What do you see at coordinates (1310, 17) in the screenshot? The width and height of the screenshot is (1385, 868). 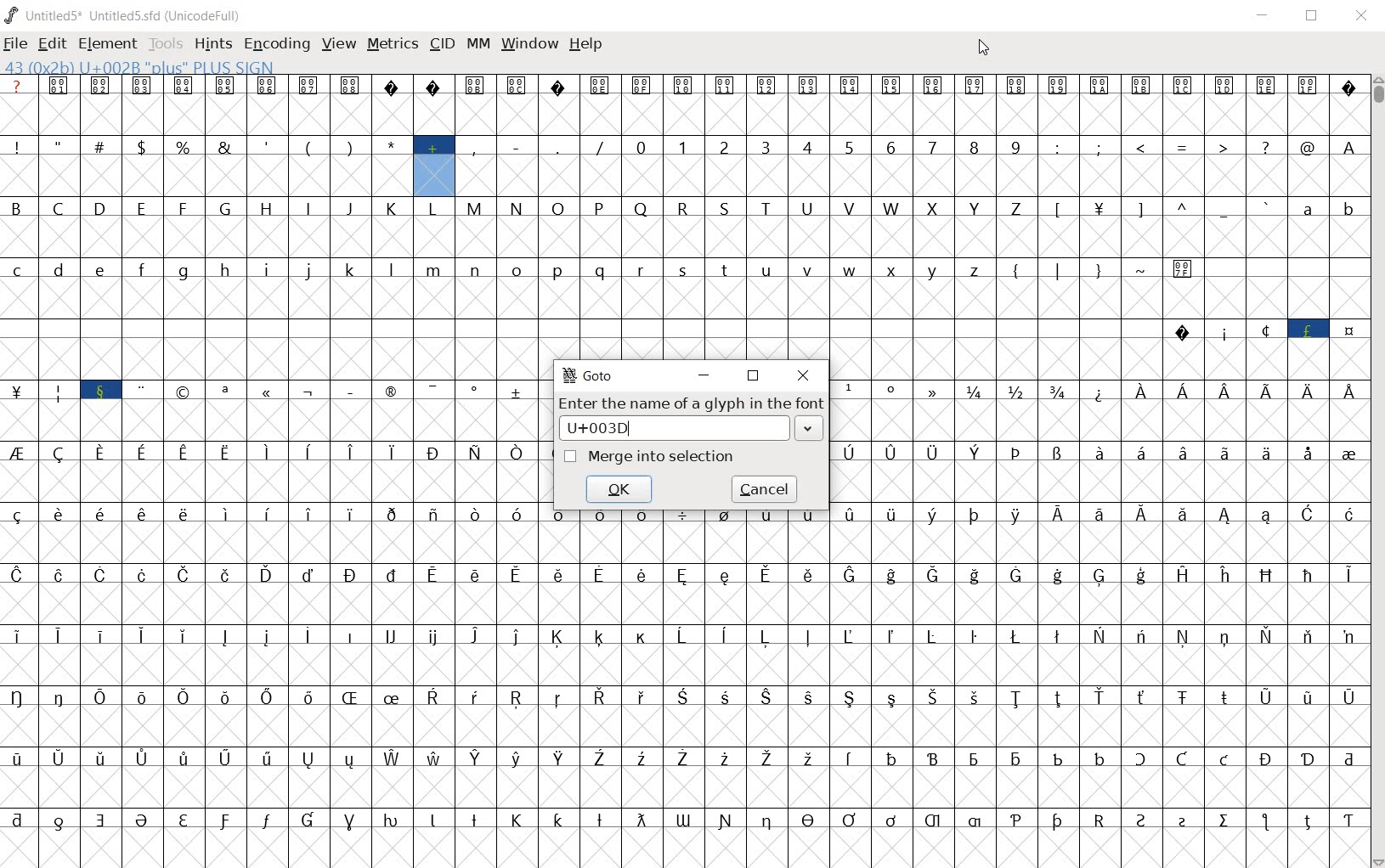 I see `restore down` at bounding box center [1310, 17].